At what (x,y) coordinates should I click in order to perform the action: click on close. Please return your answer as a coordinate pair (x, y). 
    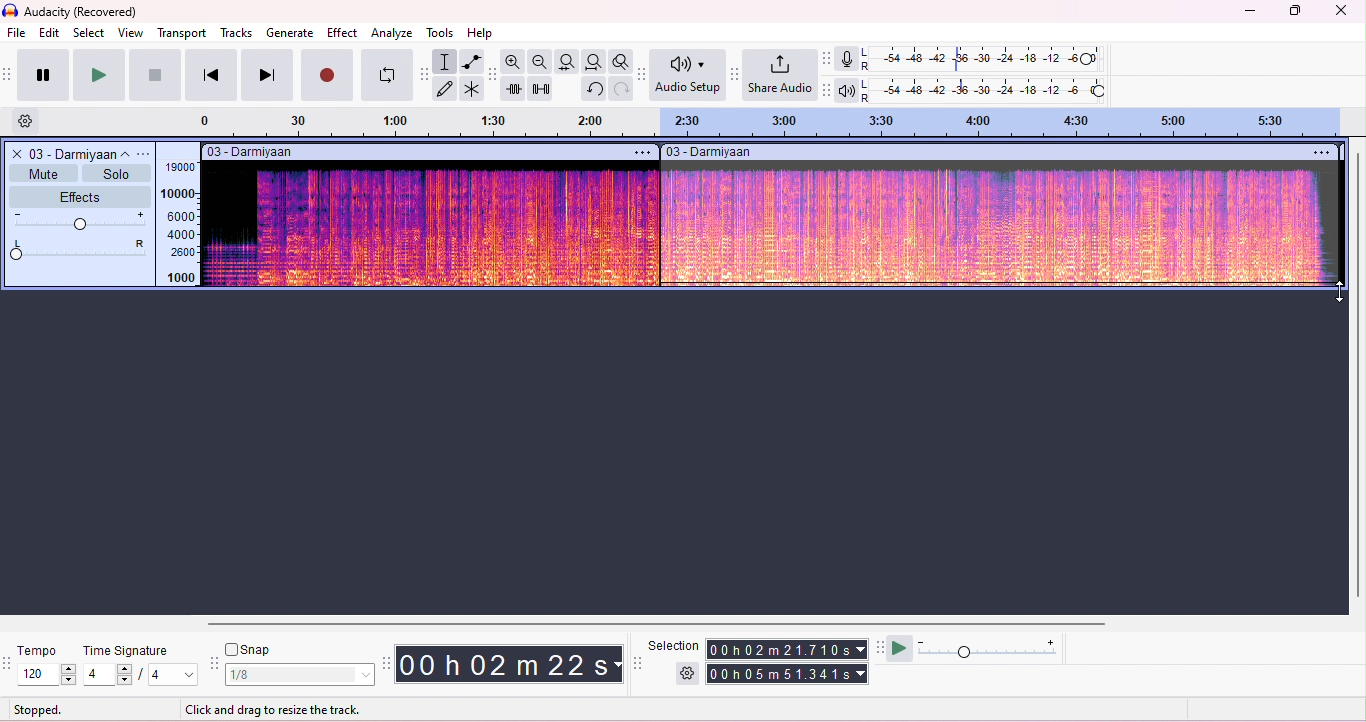
    Looking at the image, I should click on (1342, 11).